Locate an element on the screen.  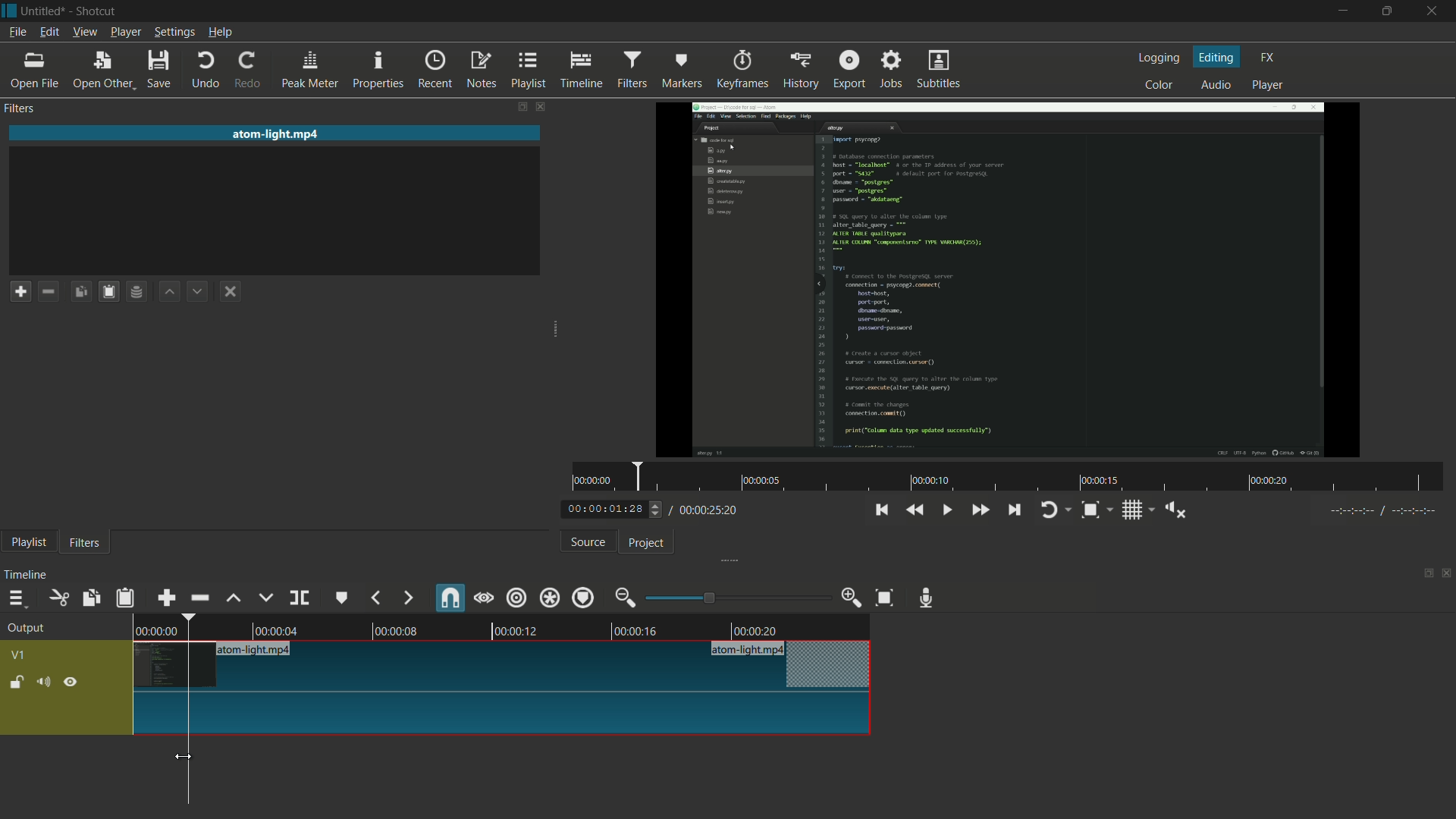
video in timeline is located at coordinates (504, 625).